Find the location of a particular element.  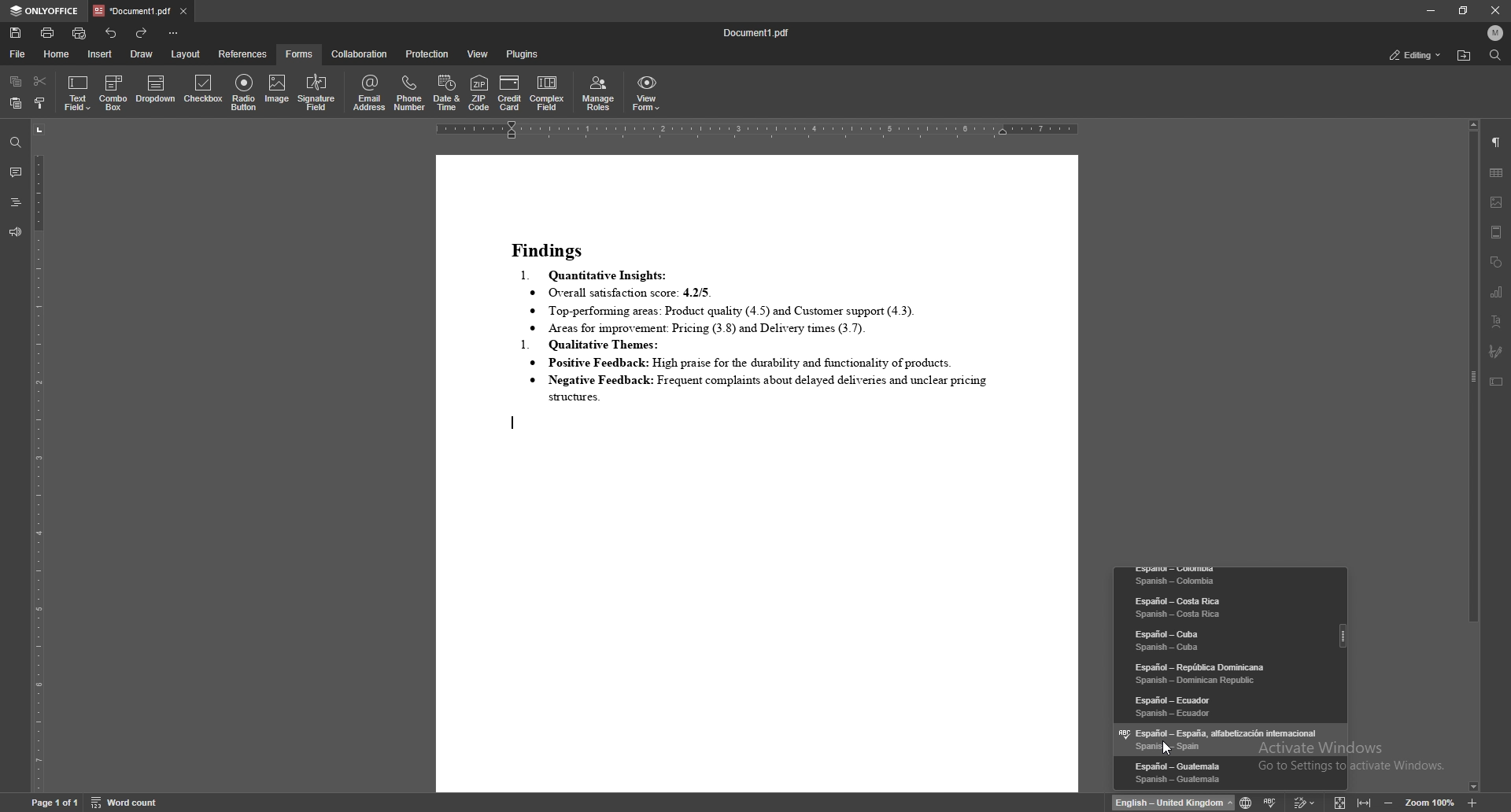

view form is located at coordinates (647, 94).